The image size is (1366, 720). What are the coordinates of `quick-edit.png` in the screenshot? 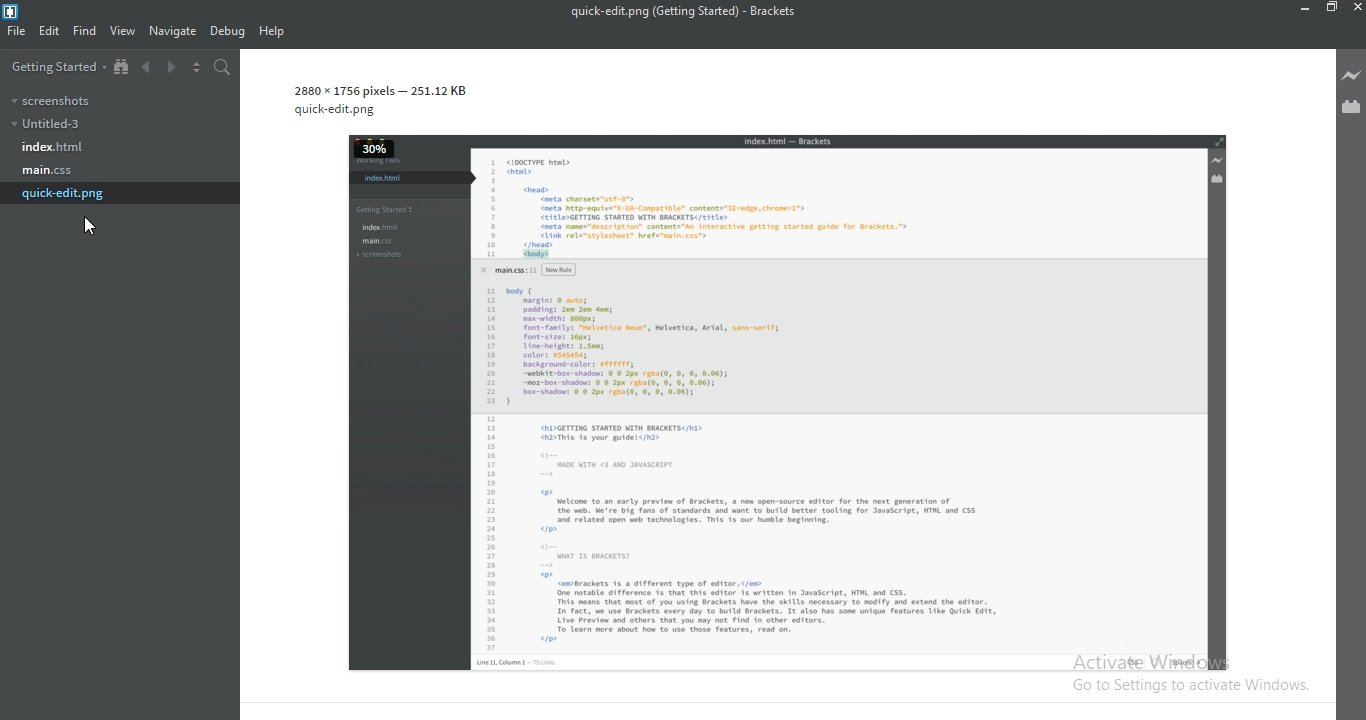 It's located at (65, 193).